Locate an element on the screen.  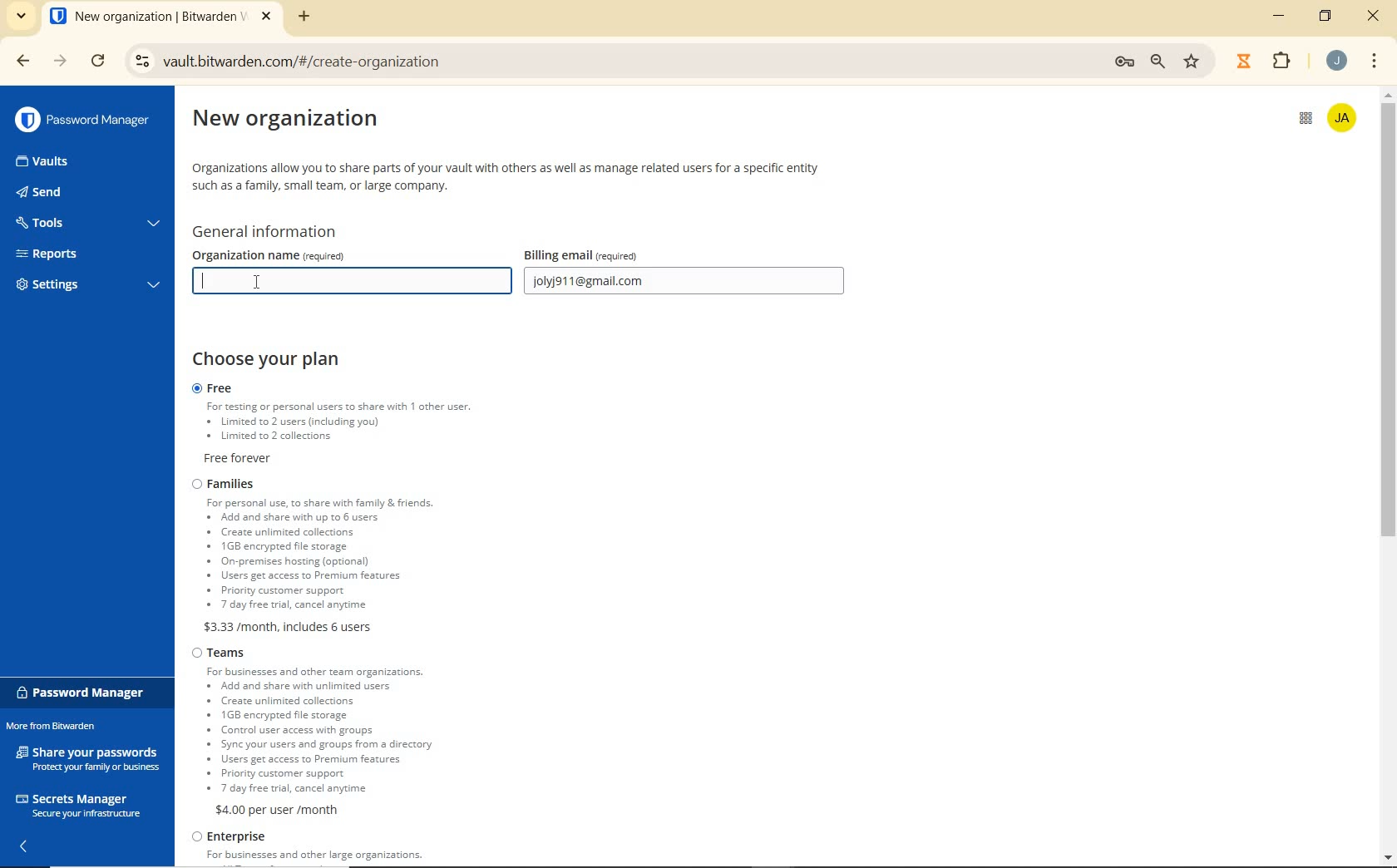
collapse is located at coordinates (26, 846).